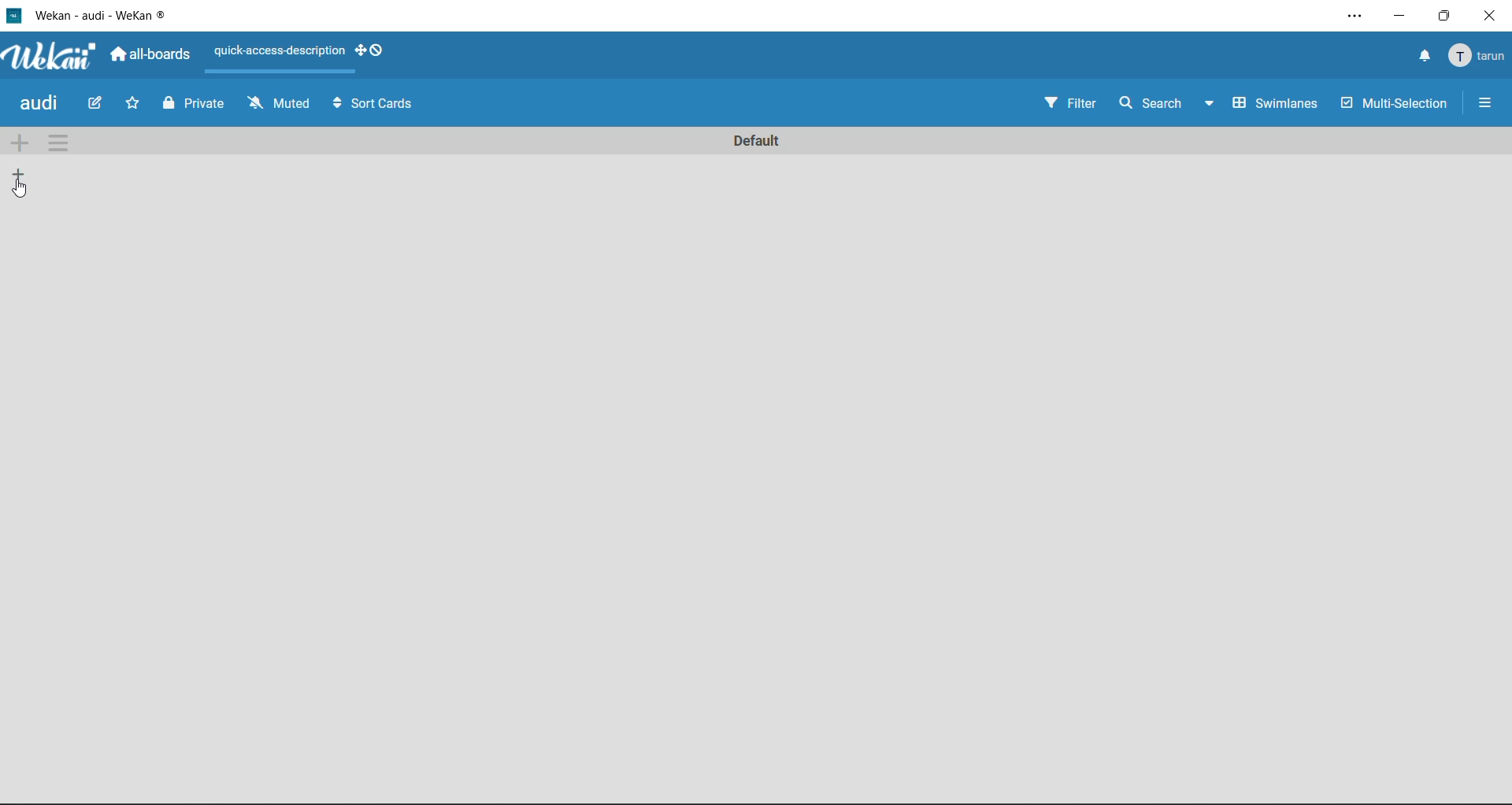 Image resolution: width=1512 pixels, height=805 pixels. Describe the element at coordinates (759, 142) in the screenshot. I see `Default` at that location.